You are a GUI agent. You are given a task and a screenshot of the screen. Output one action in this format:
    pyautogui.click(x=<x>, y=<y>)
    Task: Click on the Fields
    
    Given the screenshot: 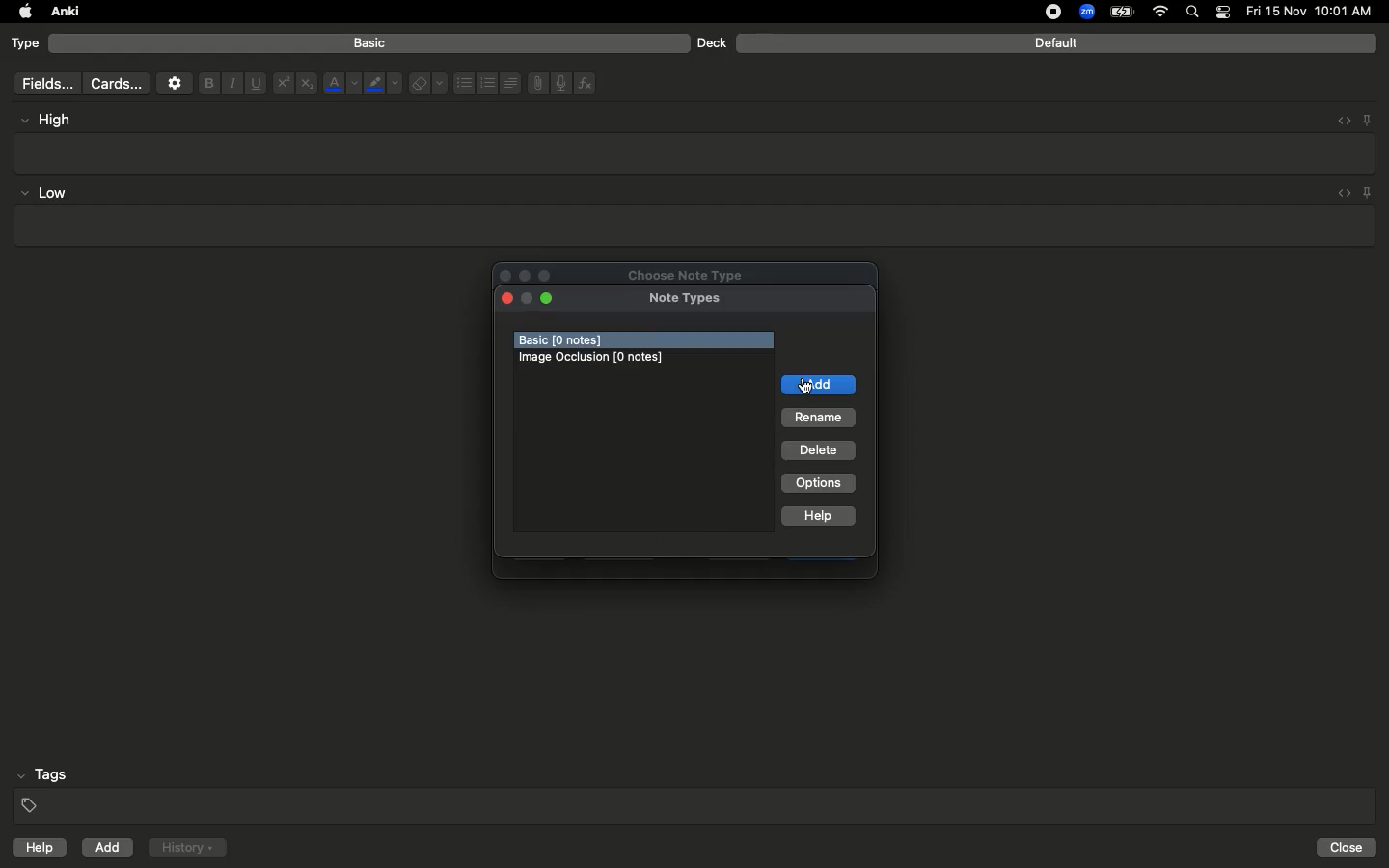 What is the action you would take?
    pyautogui.click(x=43, y=83)
    